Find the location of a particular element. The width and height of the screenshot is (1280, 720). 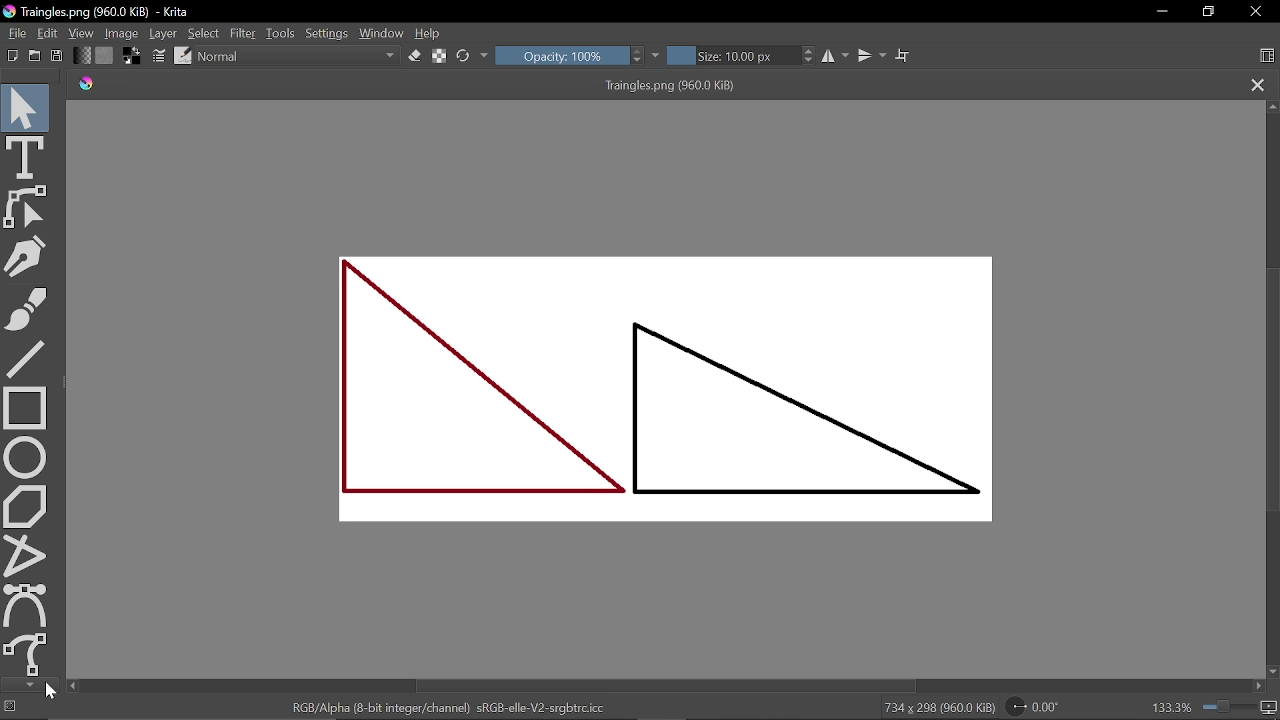

0.00 is located at coordinates (1032, 707).